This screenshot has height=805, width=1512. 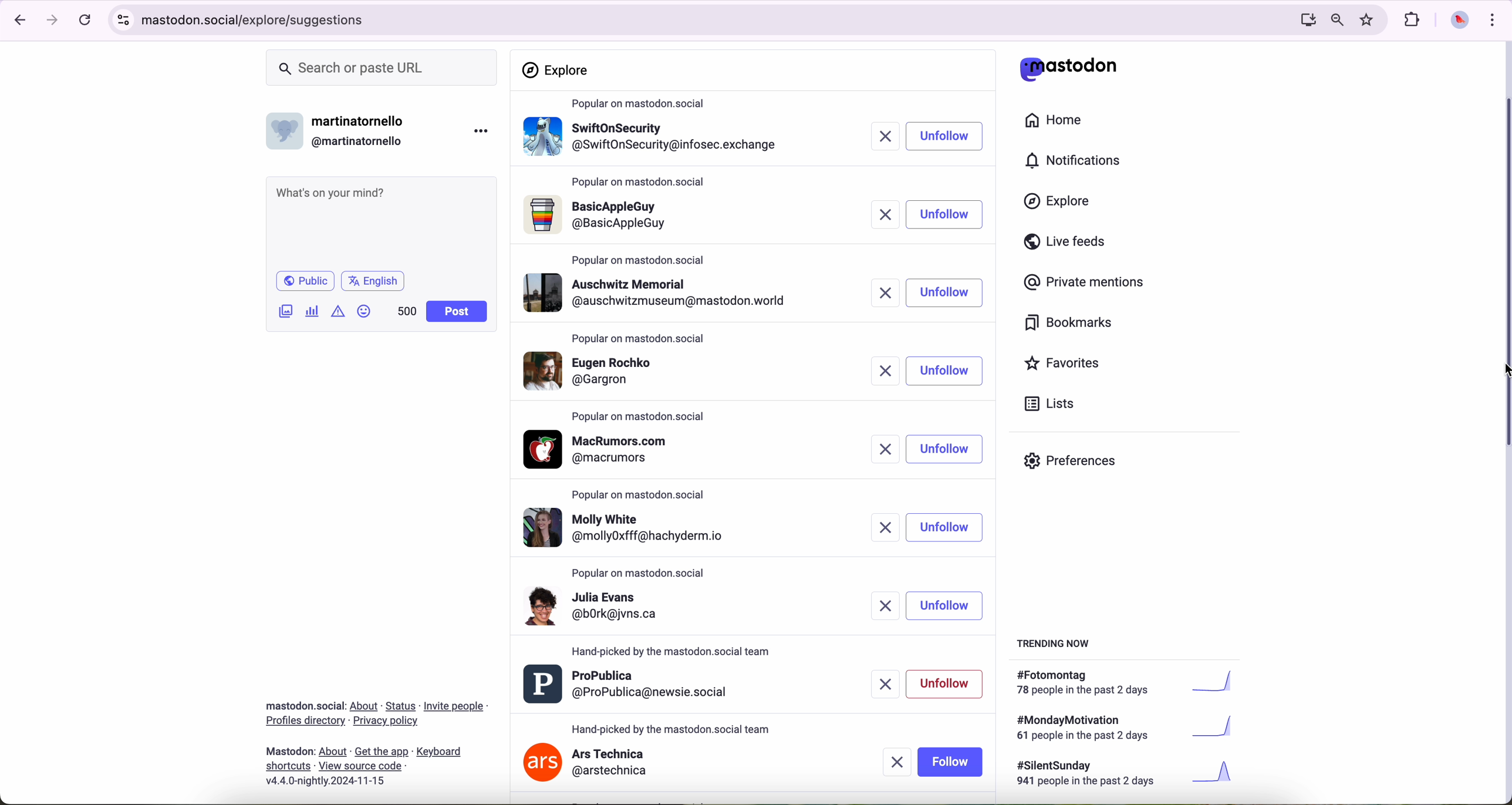 What do you see at coordinates (885, 292) in the screenshot?
I see `remove` at bounding box center [885, 292].